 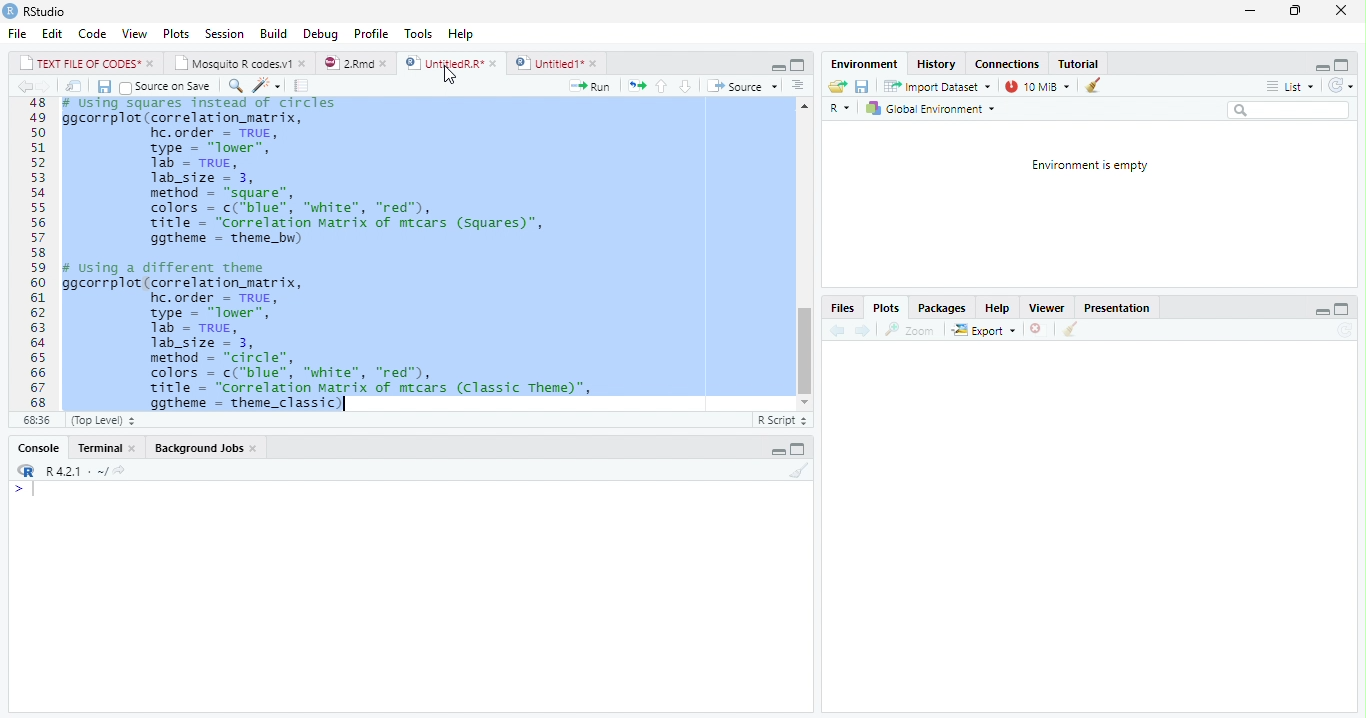 I want to click on Code, so click(x=92, y=35).